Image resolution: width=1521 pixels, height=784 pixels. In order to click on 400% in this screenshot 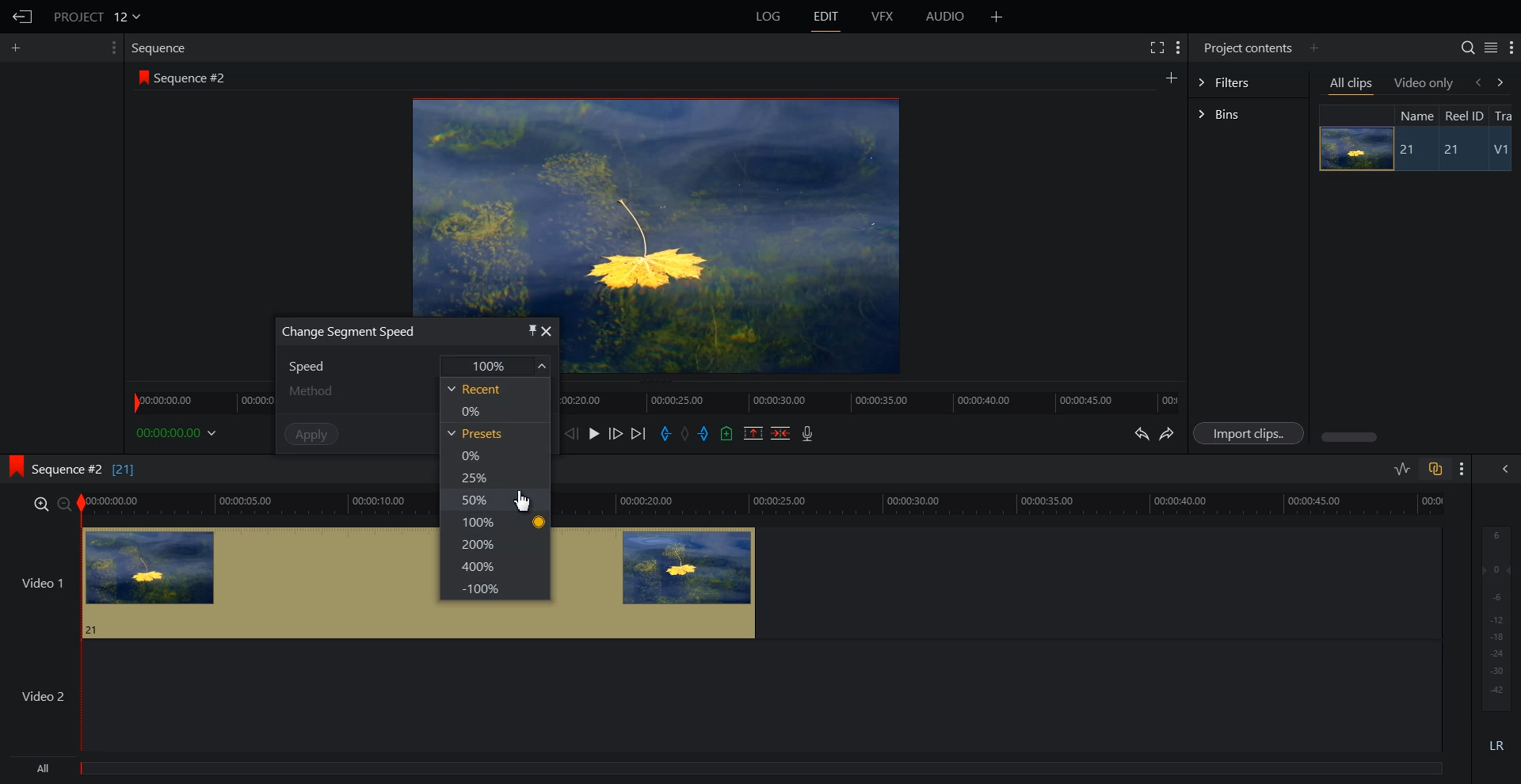, I will do `click(476, 567)`.